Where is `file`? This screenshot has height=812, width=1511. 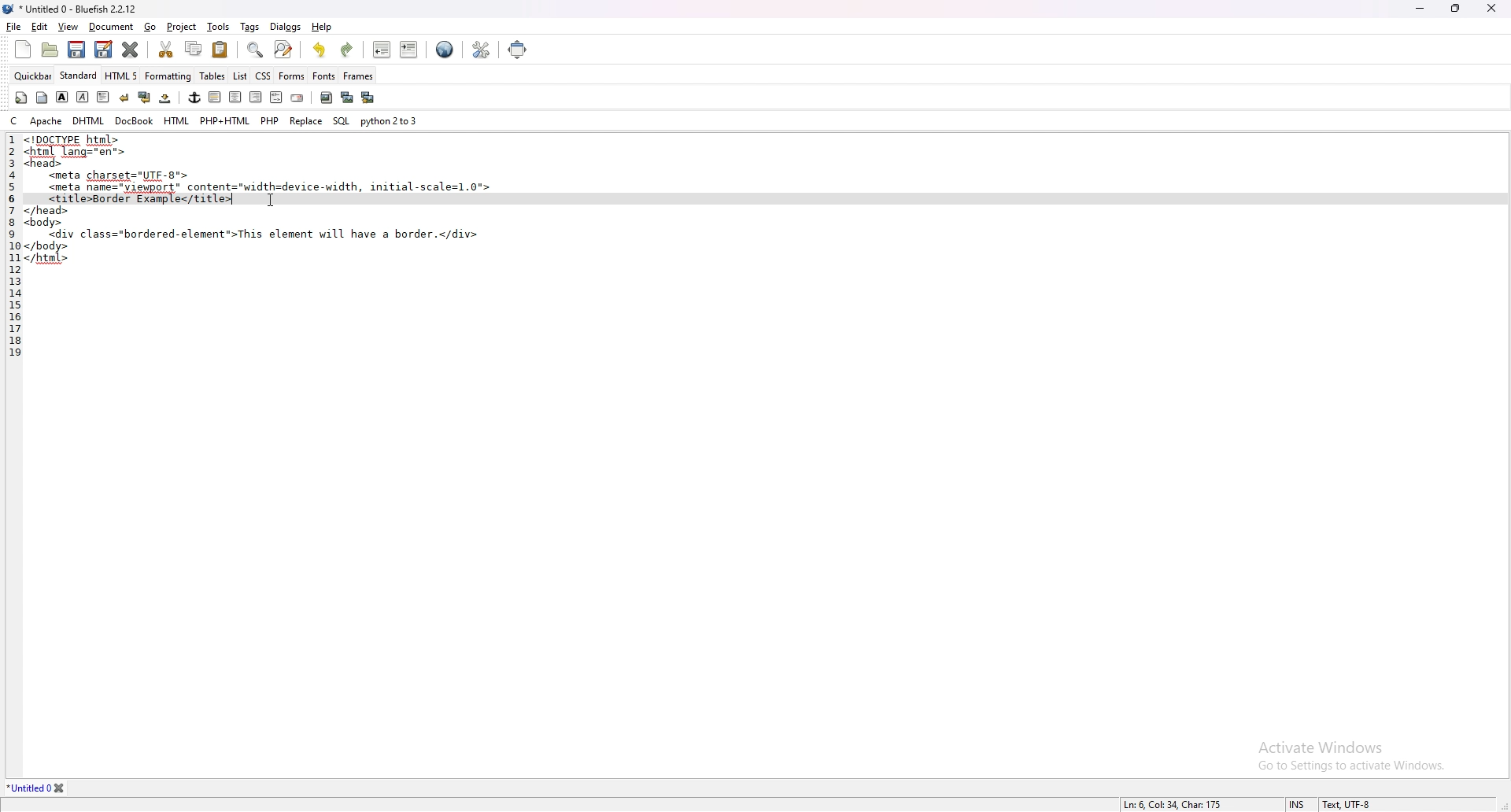
file is located at coordinates (13, 27).